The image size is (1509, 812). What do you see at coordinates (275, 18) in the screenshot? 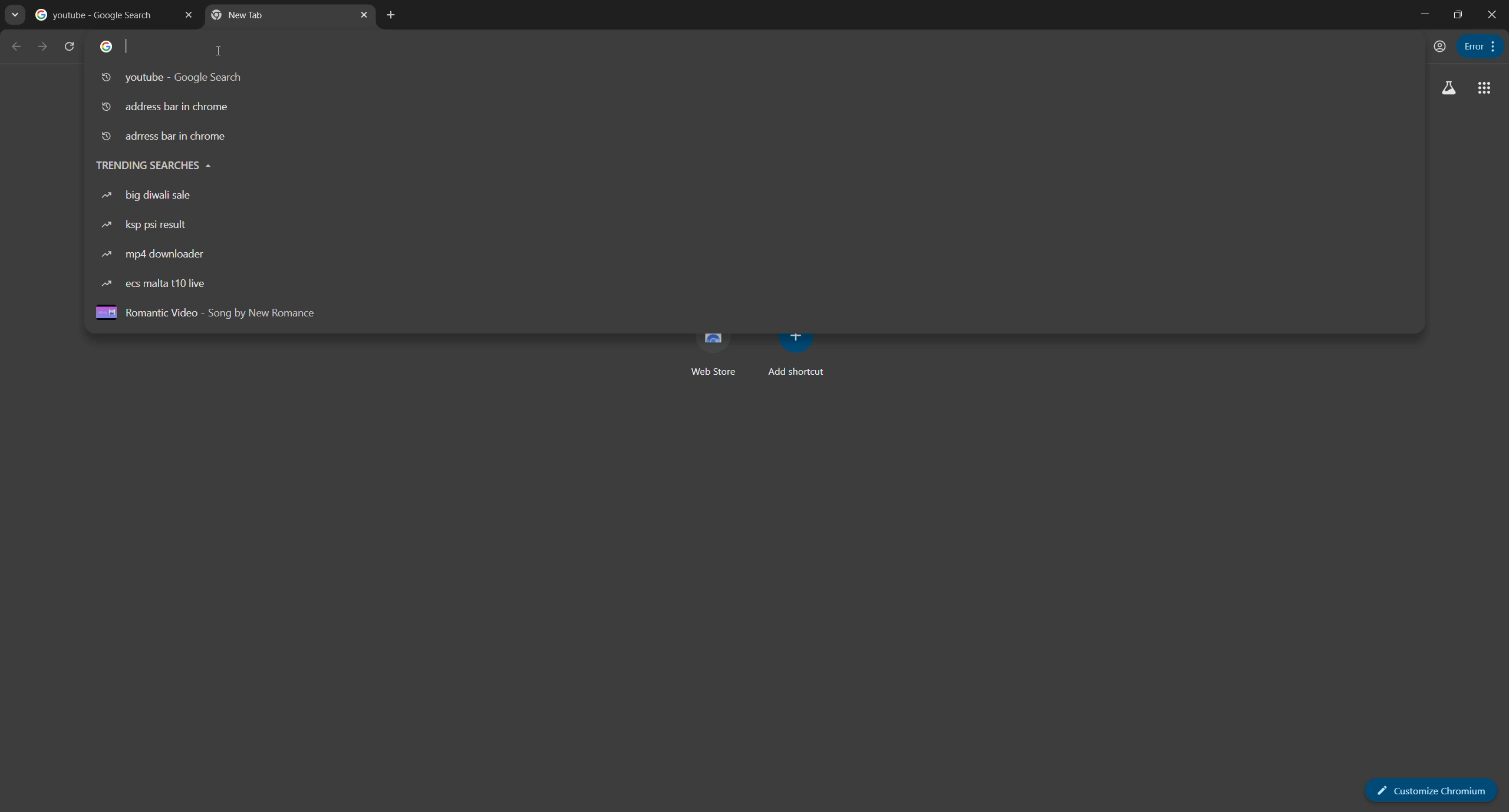
I see `new tab` at bounding box center [275, 18].